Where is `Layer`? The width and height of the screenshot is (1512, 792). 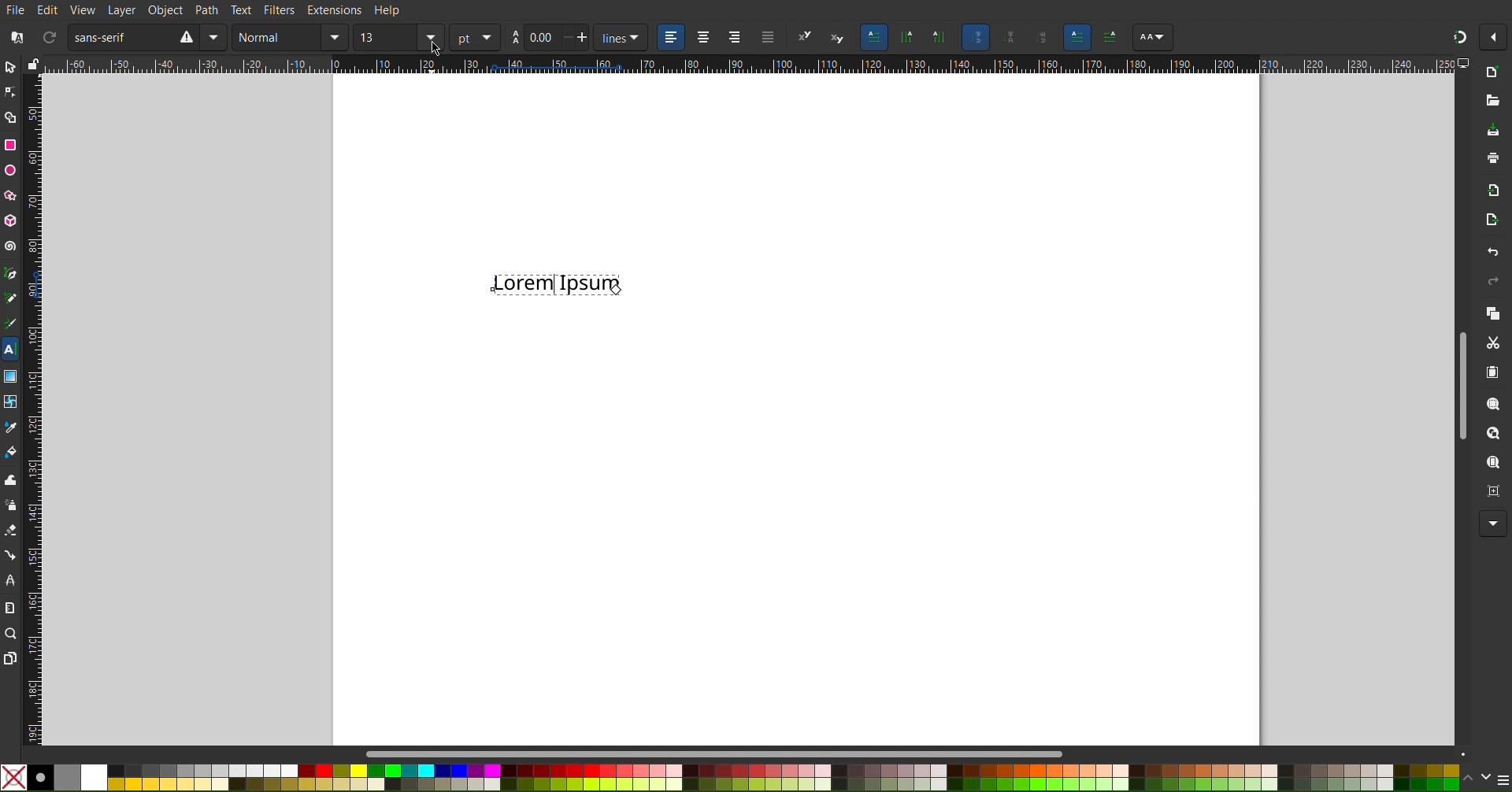
Layer is located at coordinates (122, 10).